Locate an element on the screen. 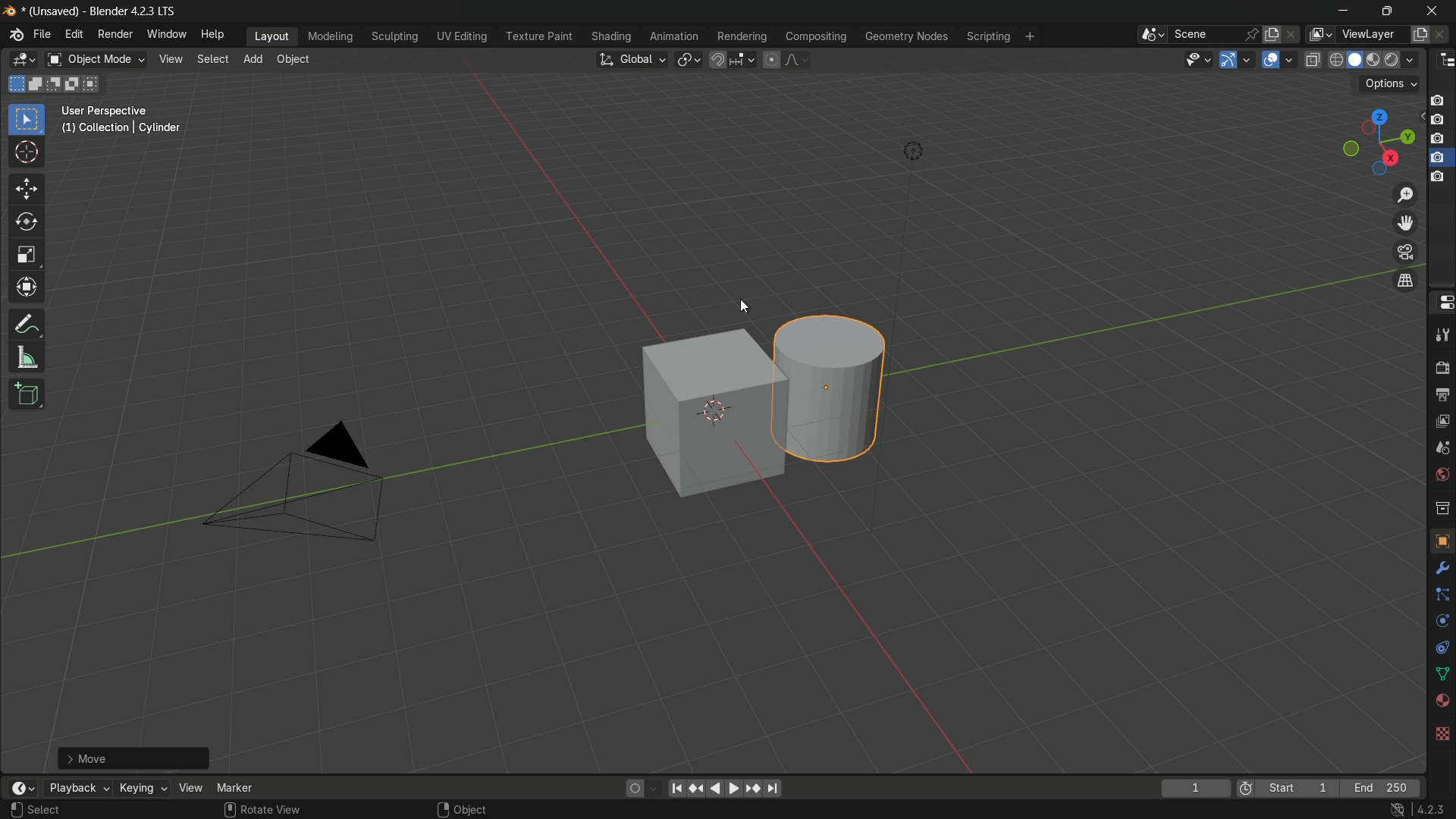 The width and height of the screenshot is (1456, 819). jump to keyframe is located at coordinates (750, 788).